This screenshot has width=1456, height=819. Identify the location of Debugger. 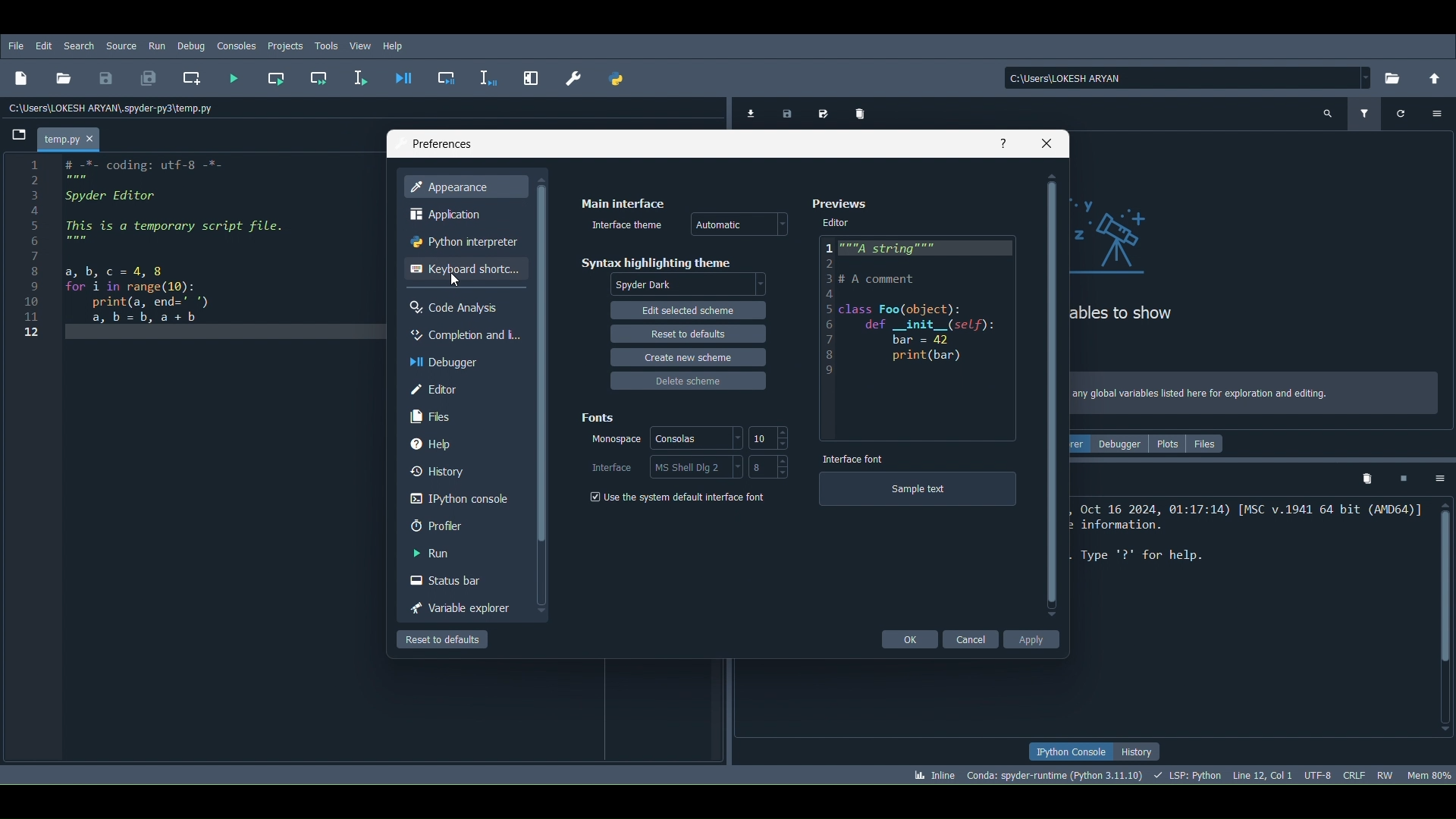
(450, 361).